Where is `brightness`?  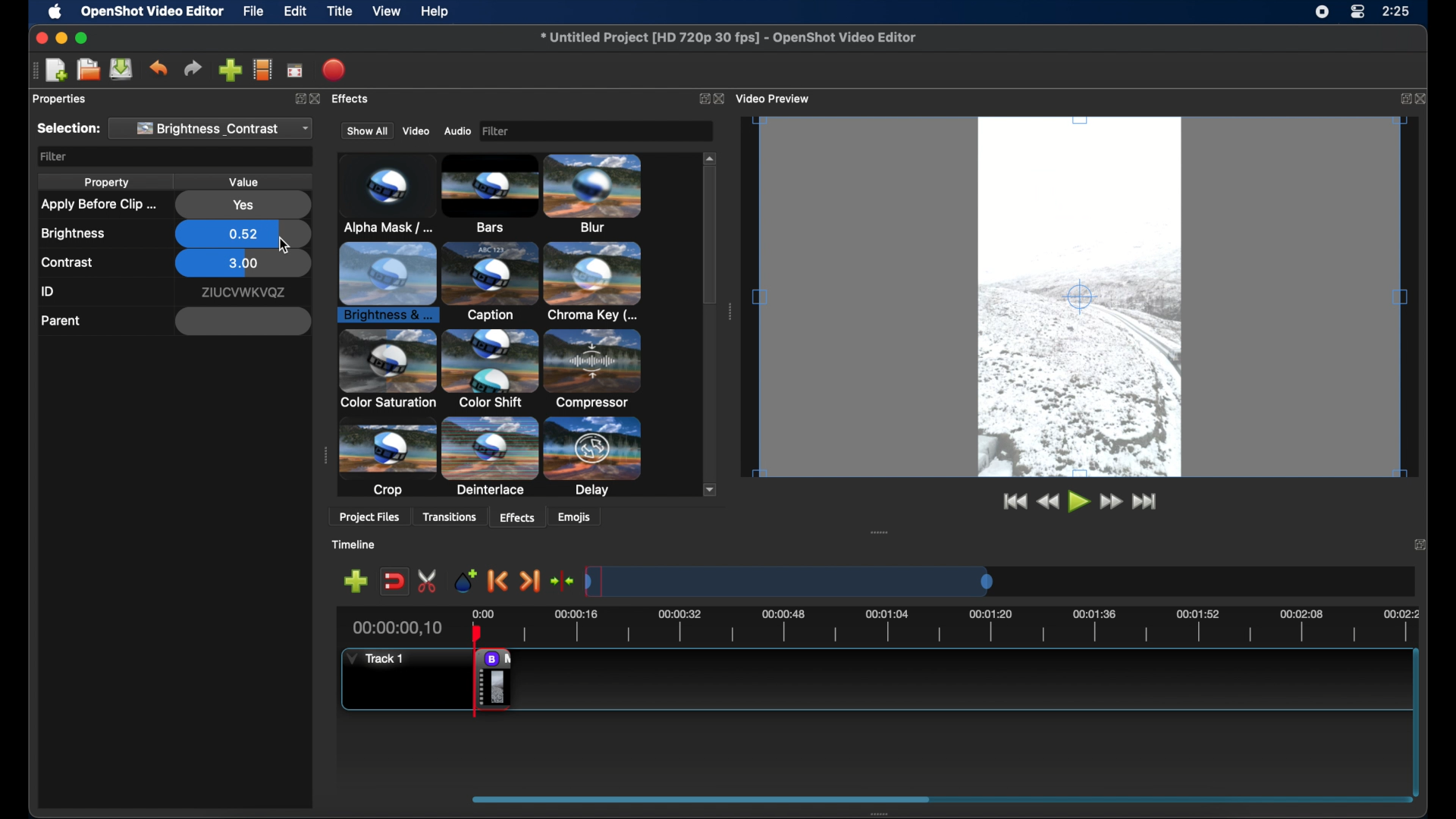 brightness is located at coordinates (74, 234).